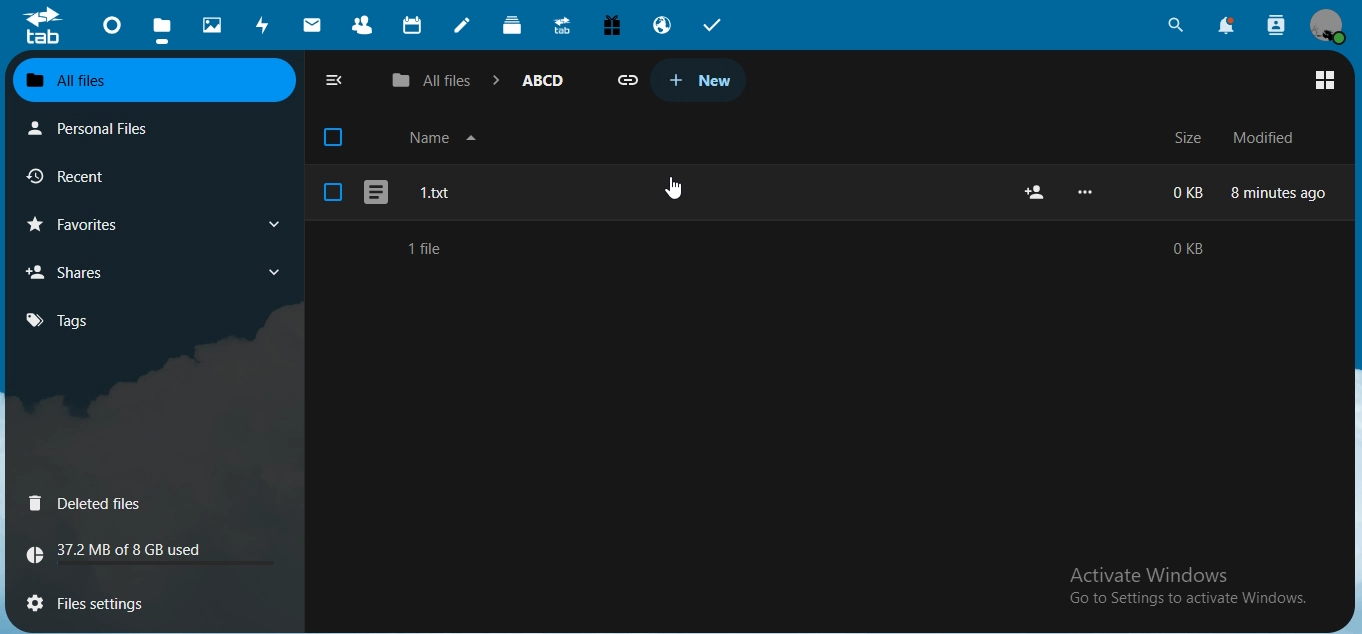  Describe the element at coordinates (434, 82) in the screenshot. I see `all files` at that location.